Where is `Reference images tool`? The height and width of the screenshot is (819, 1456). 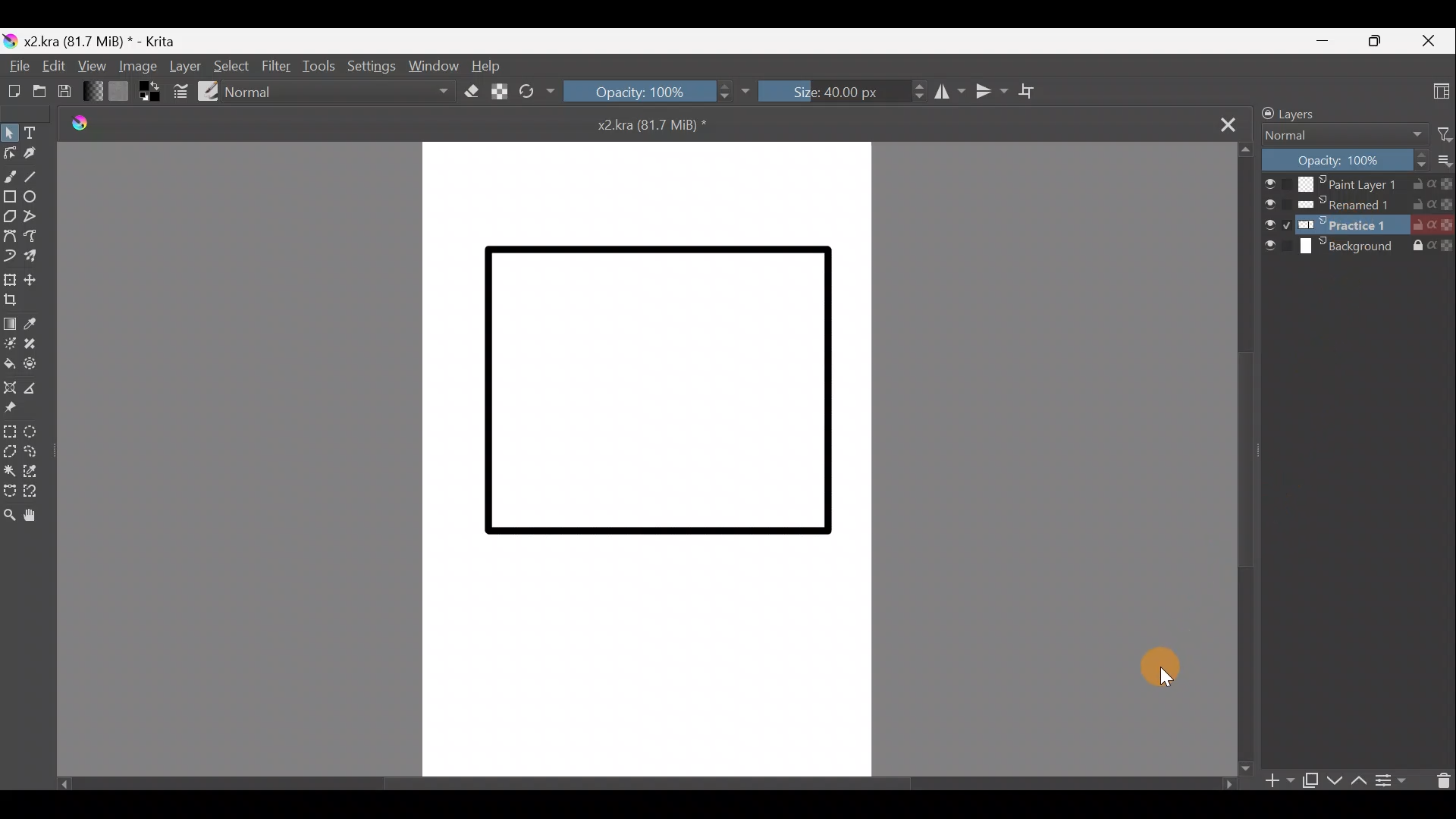
Reference images tool is located at coordinates (19, 410).